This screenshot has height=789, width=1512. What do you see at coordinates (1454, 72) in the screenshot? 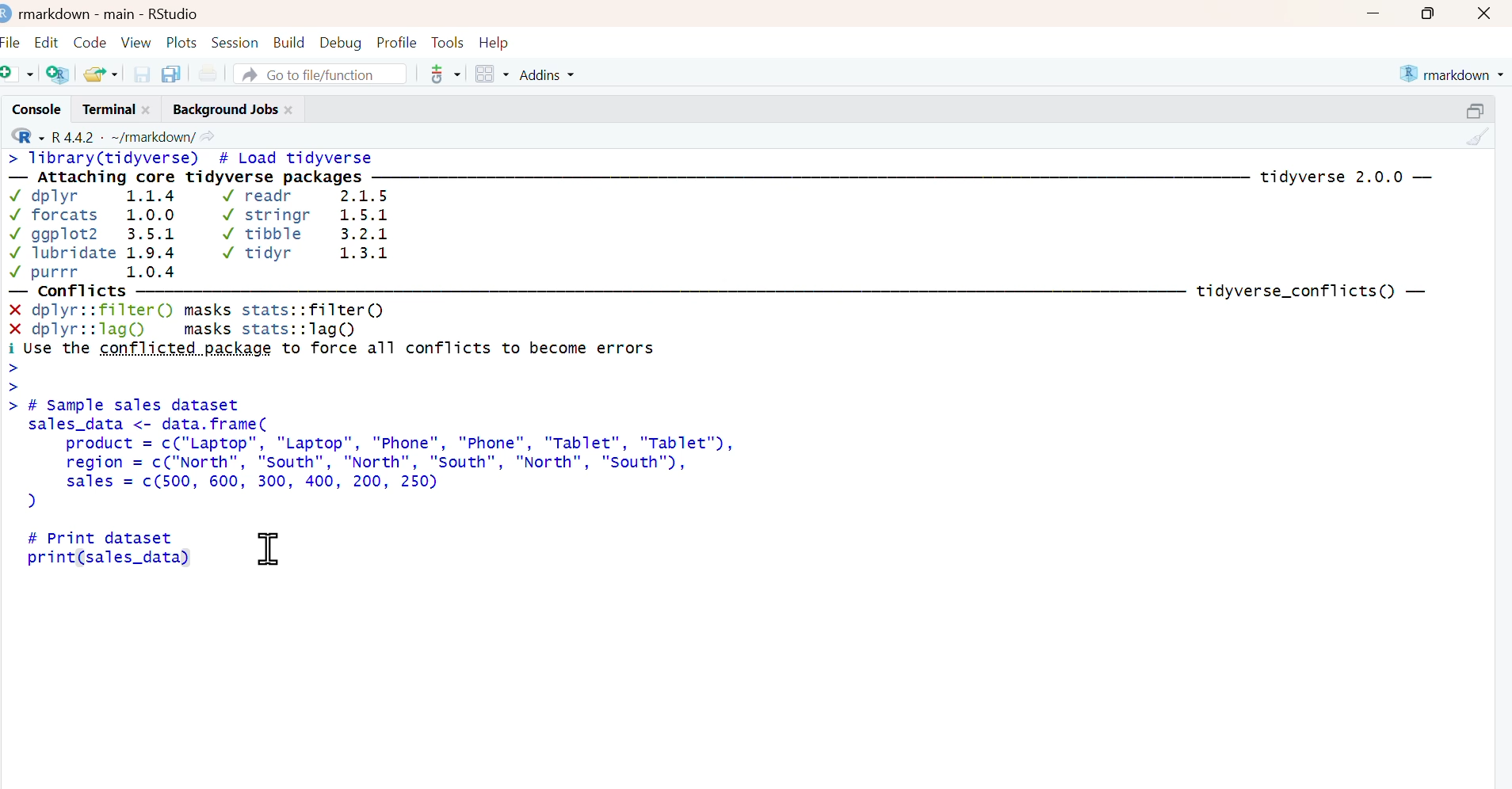
I see `markdown` at bounding box center [1454, 72].